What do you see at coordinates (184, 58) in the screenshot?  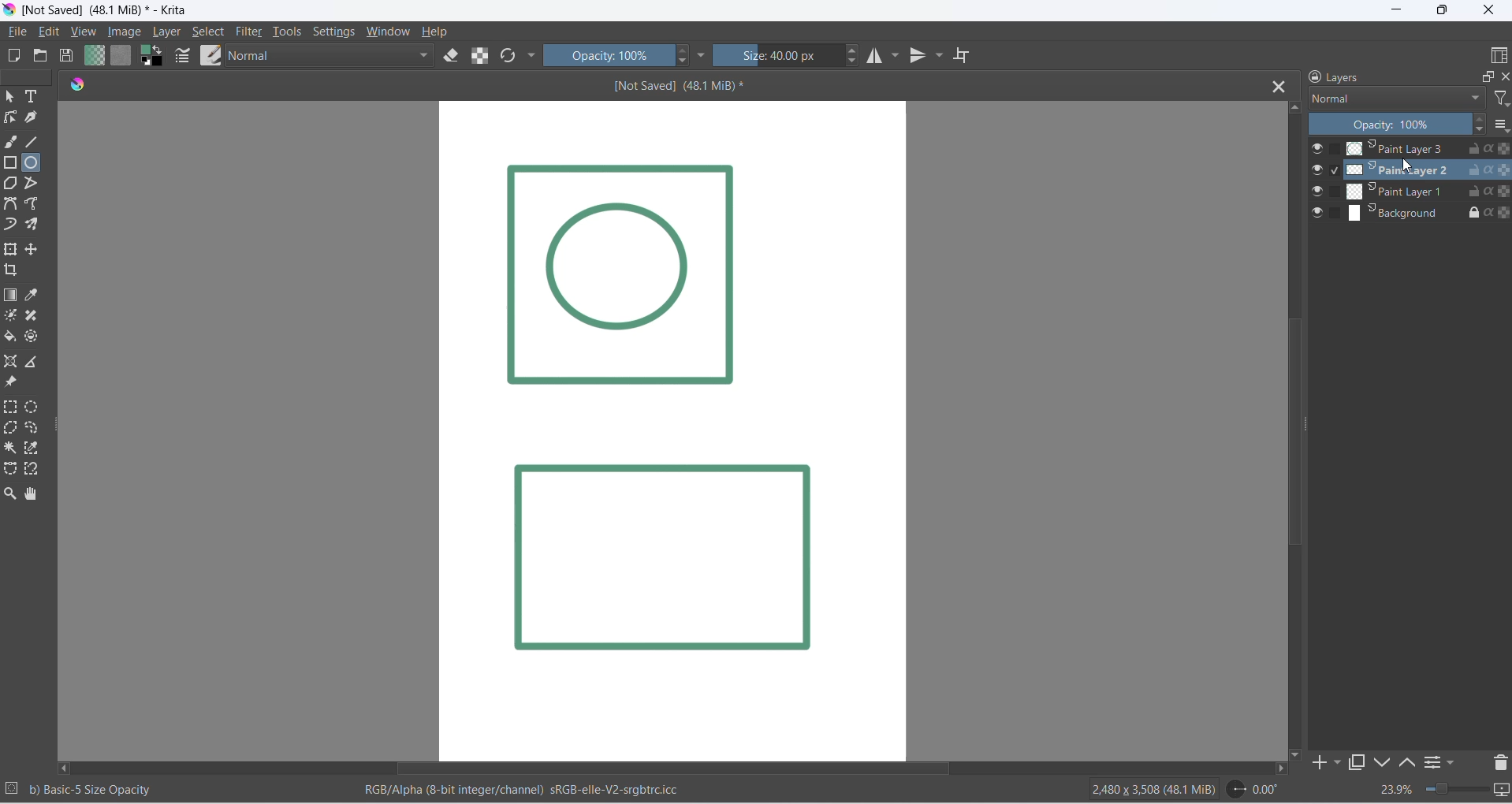 I see `edit brush settings` at bounding box center [184, 58].